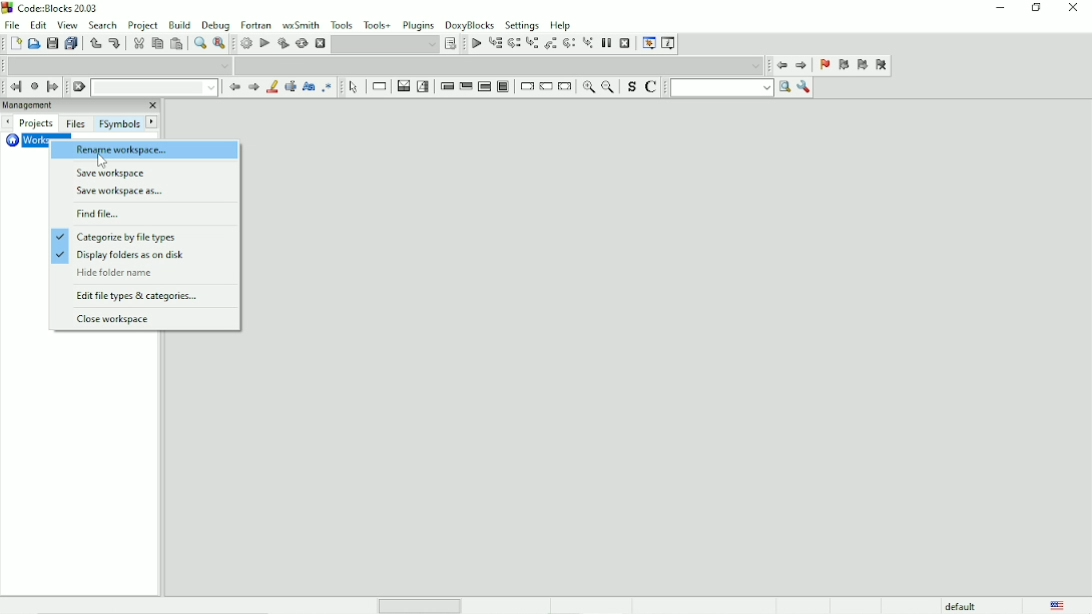  What do you see at coordinates (68, 25) in the screenshot?
I see `View` at bounding box center [68, 25].